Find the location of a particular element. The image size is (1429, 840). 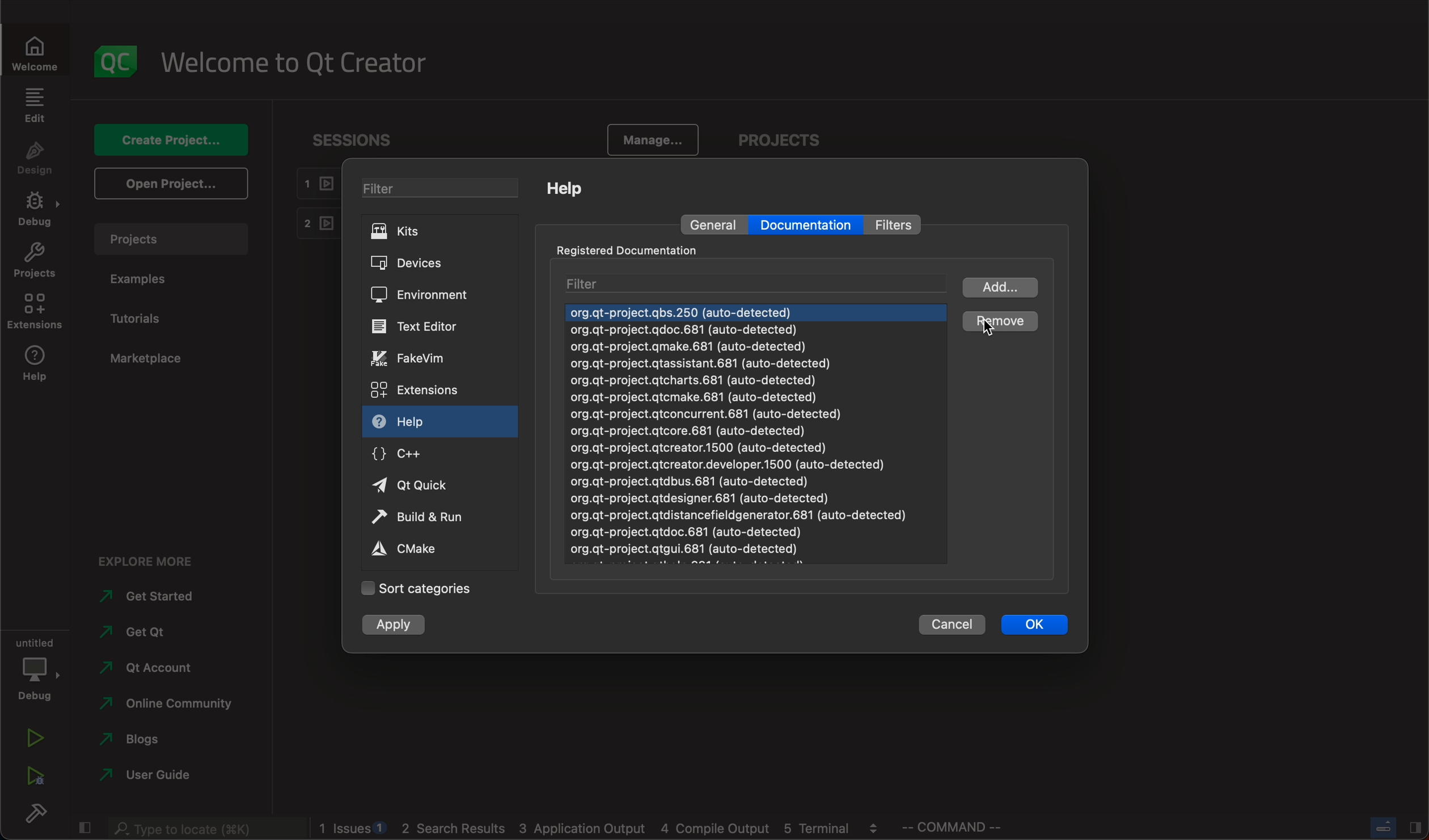

started is located at coordinates (155, 597).